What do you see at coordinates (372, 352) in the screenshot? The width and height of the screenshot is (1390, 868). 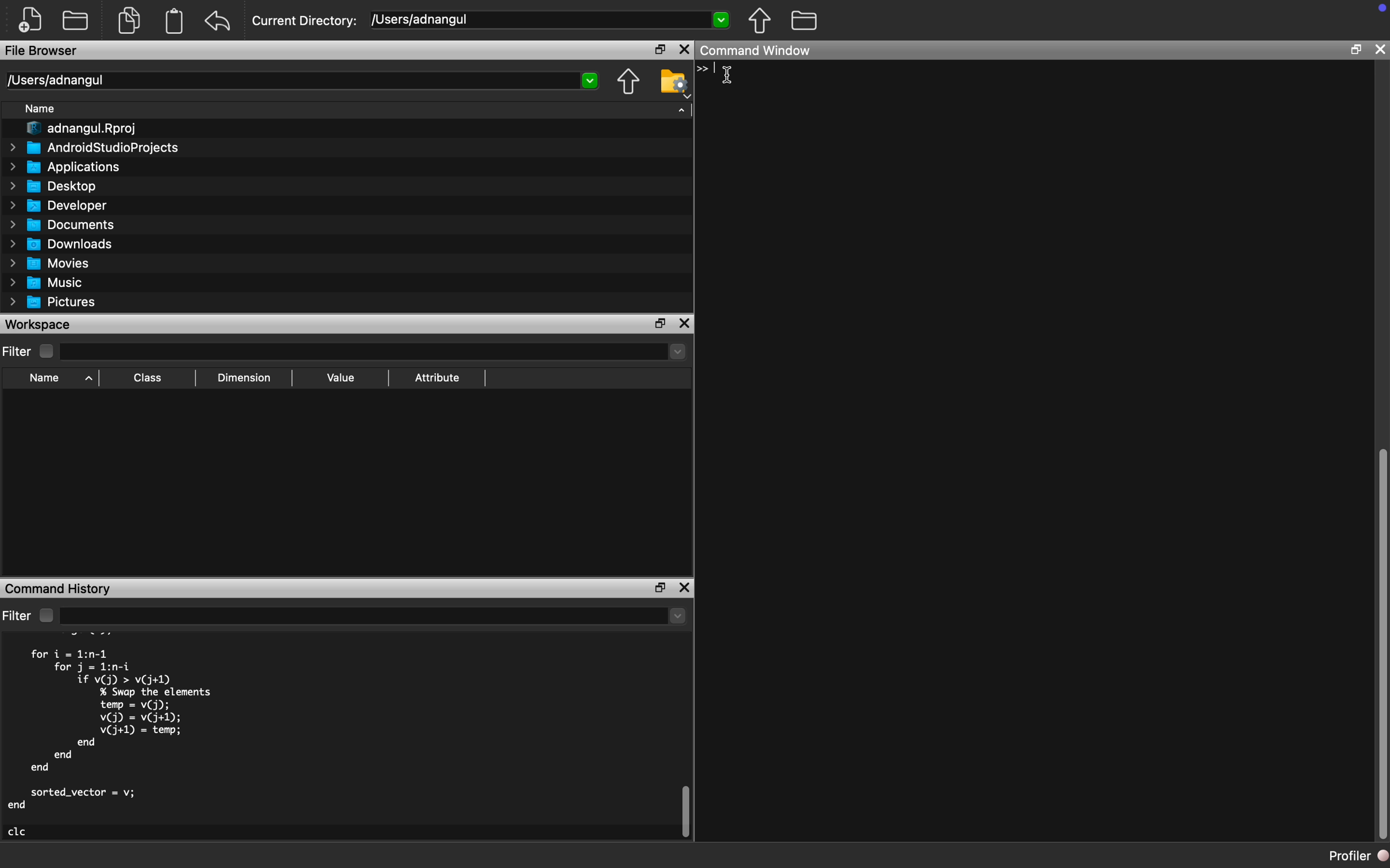 I see `Dropdown` at bounding box center [372, 352].